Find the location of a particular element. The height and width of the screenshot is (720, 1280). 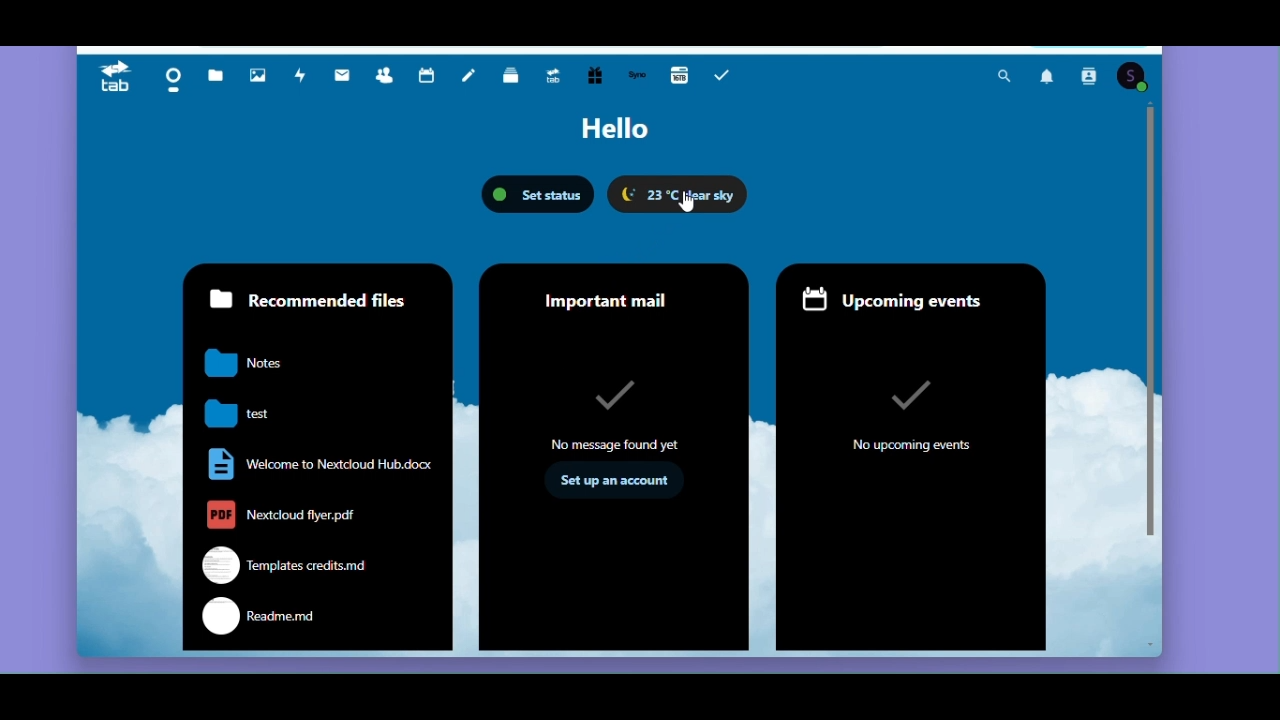

Search is located at coordinates (1001, 75).